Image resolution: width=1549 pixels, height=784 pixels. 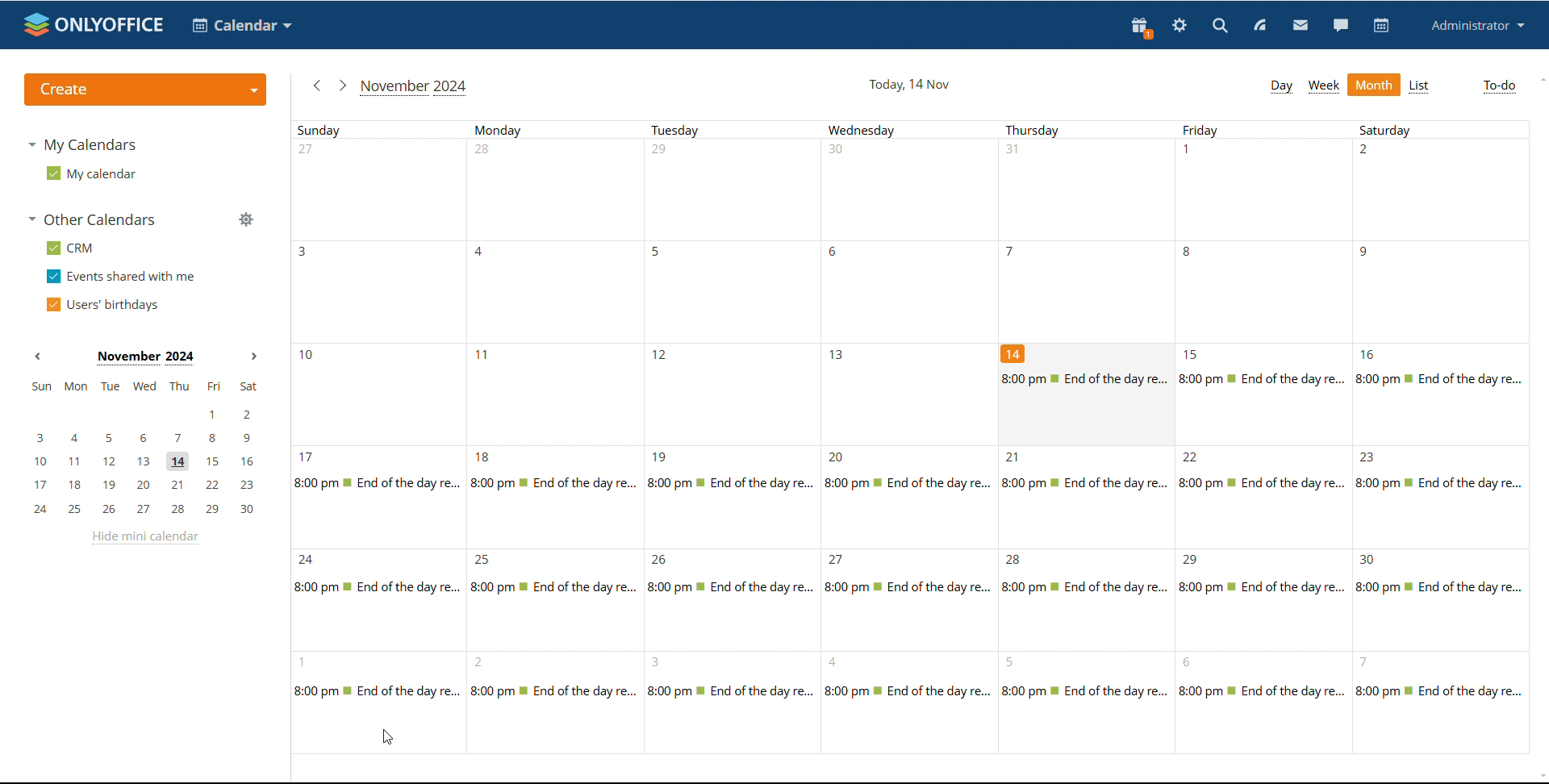 I want to click on feed, so click(x=1259, y=25).